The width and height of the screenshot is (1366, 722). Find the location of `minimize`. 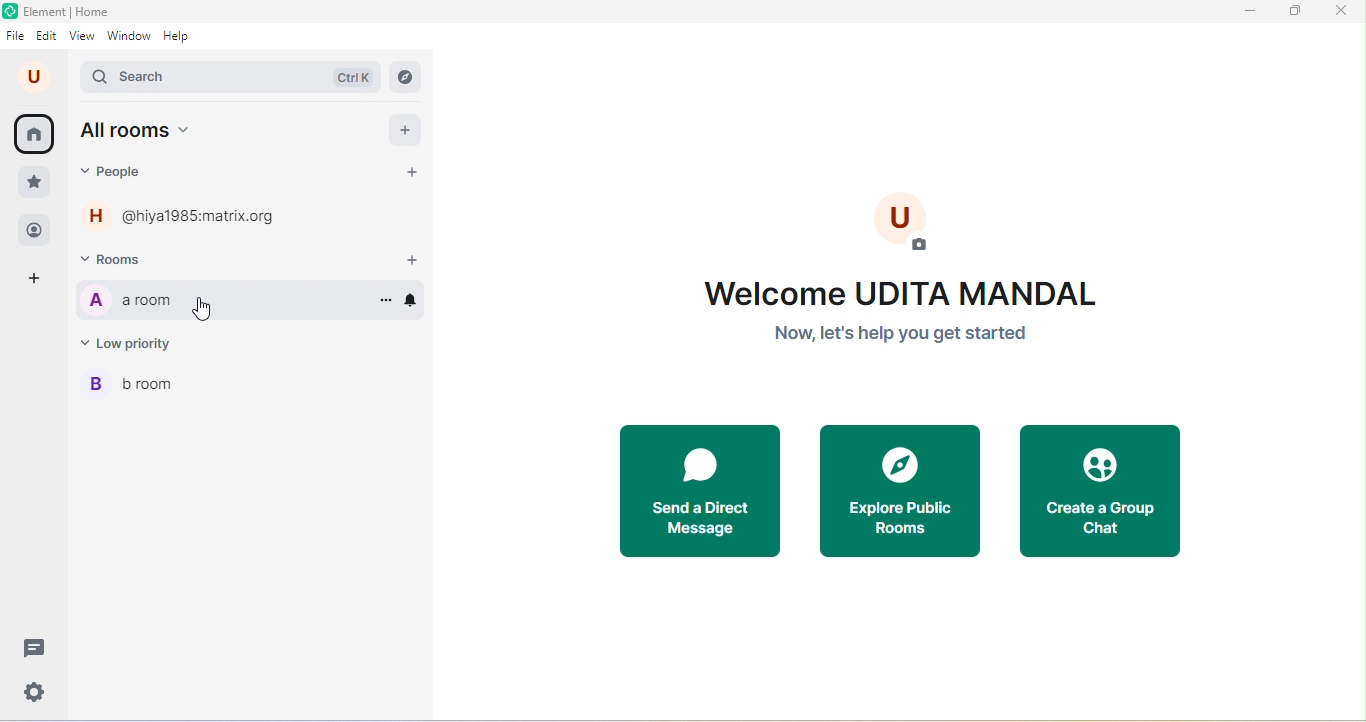

minimize is located at coordinates (1249, 15).